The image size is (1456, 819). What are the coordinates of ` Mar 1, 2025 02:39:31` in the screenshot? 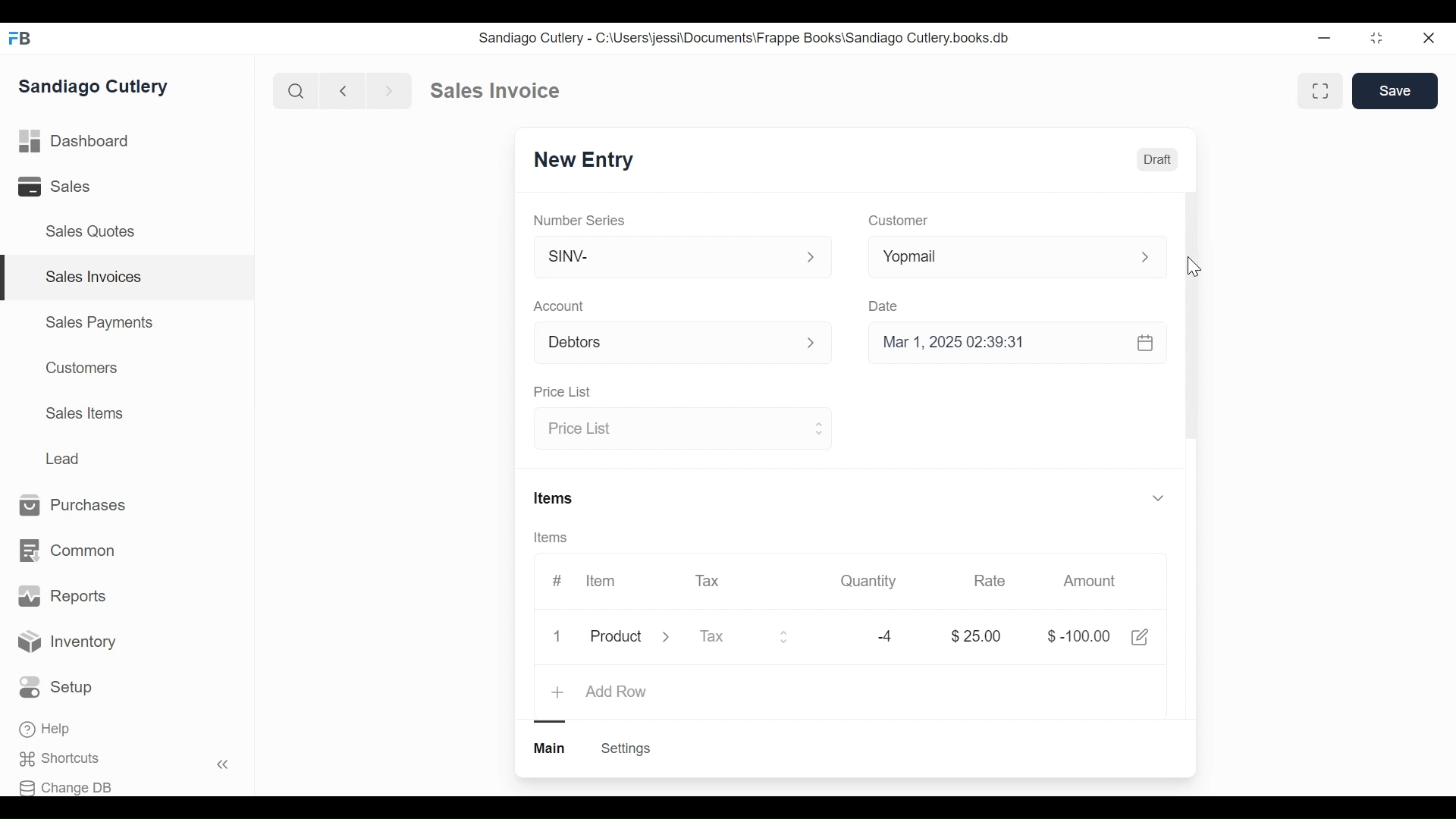 It's located at (1014, 341).